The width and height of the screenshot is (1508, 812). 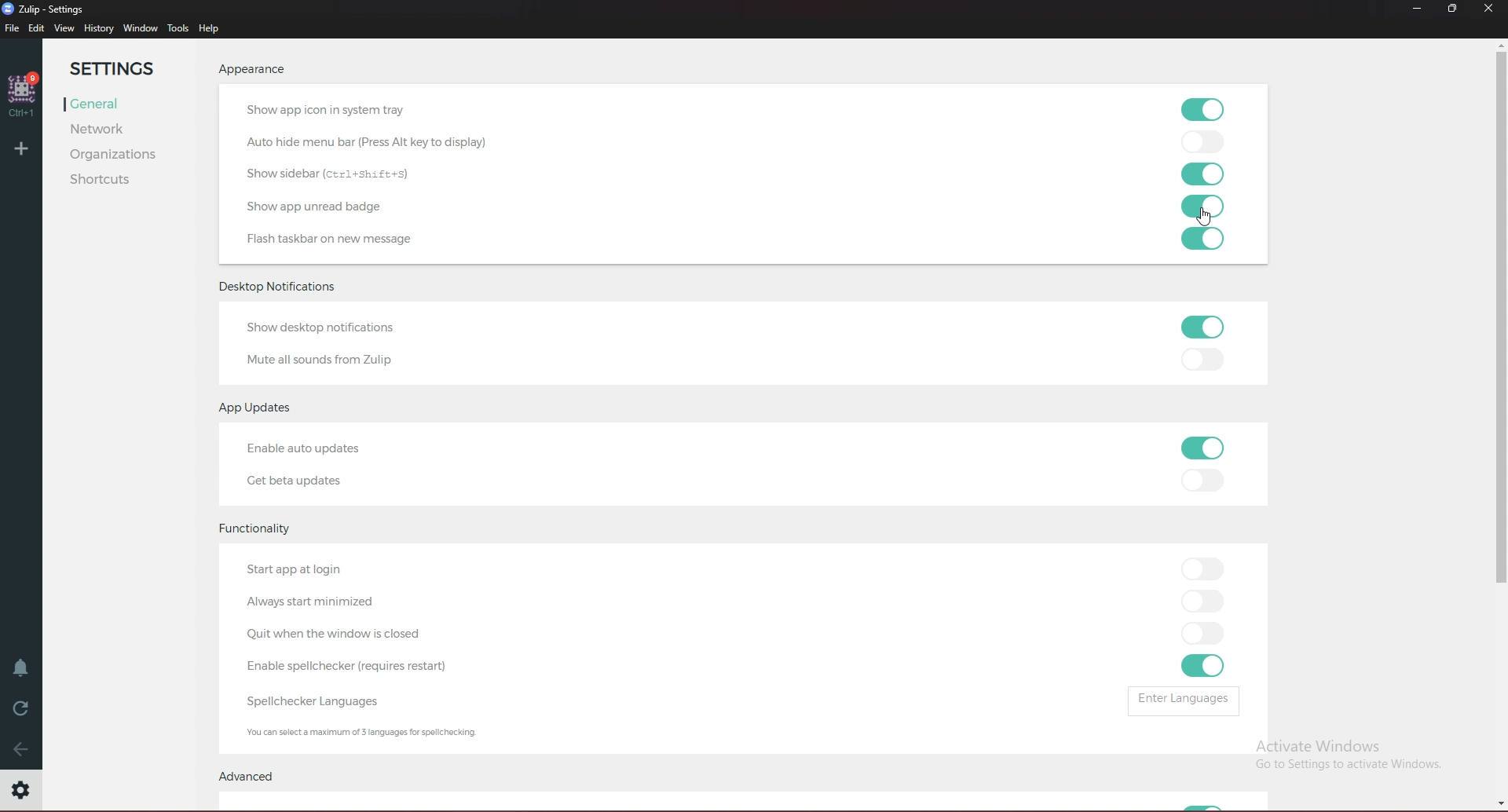 What do you see at coordinates (21, 709) in the screenshot?
I see `Reload` at bounding box center [21, 709].